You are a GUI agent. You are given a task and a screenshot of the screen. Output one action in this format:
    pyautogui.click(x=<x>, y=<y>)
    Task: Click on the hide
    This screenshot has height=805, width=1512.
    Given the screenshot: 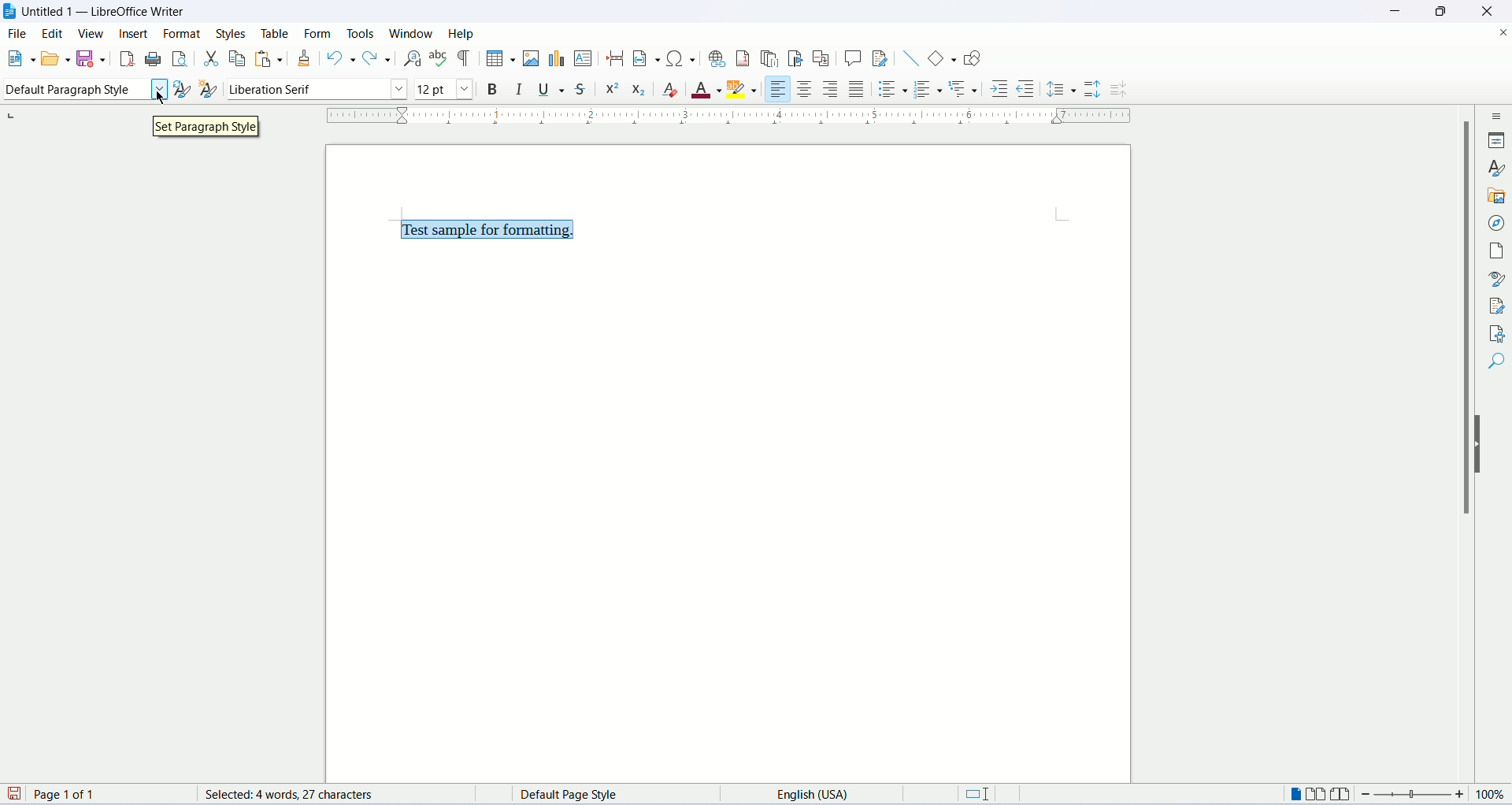 What is the action you would take?
    pyautogui.click(x=1480, y=446)
    